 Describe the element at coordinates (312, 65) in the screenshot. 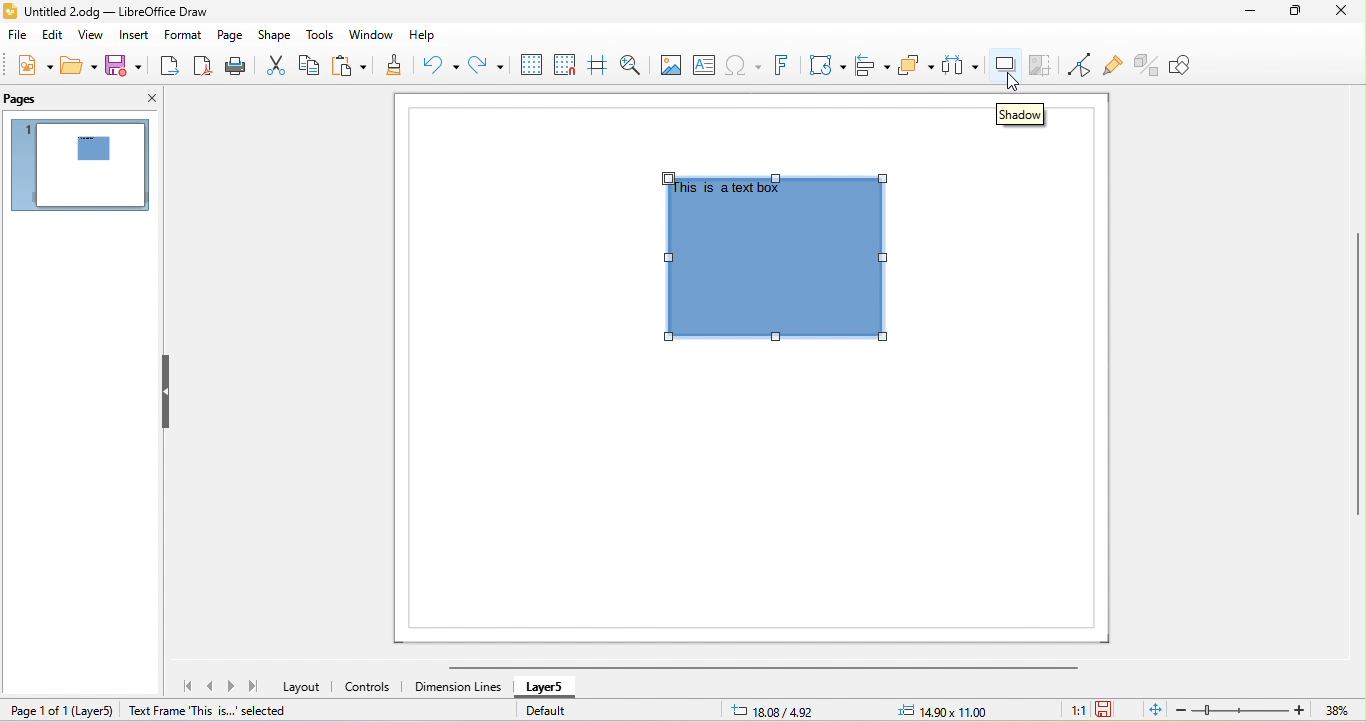

I see `copy` at that location.